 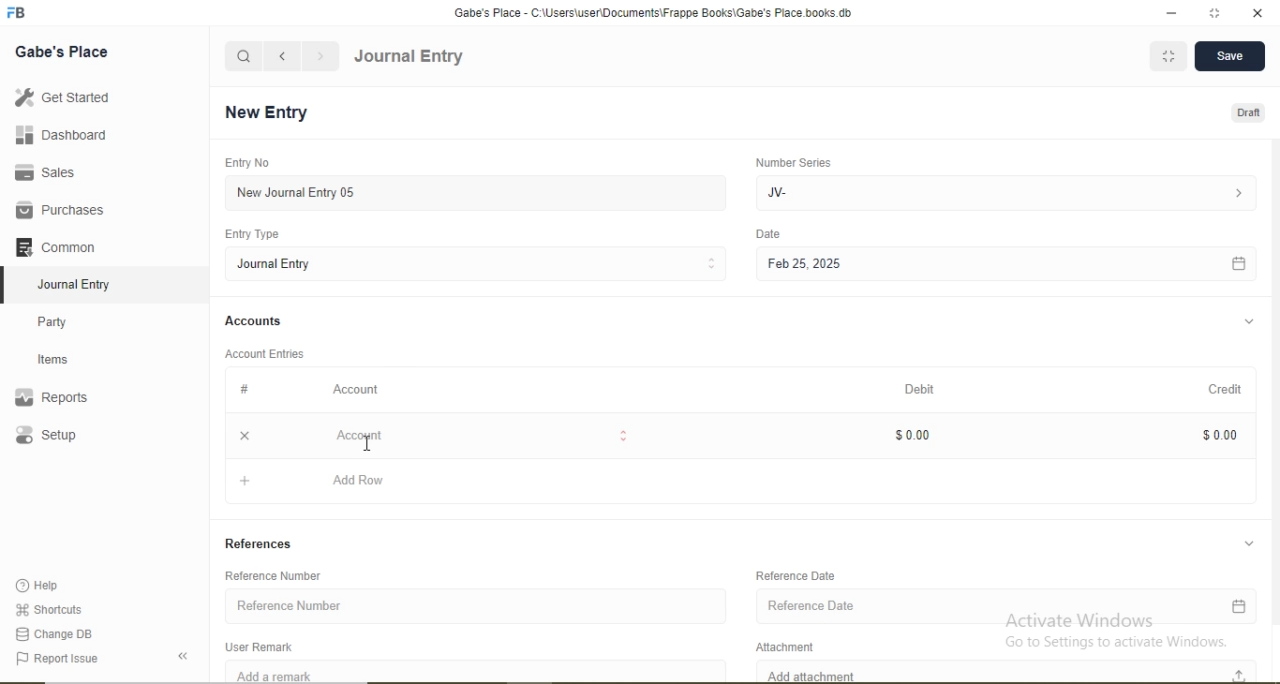 I want to click on Debit, so click(x=922, y=390).